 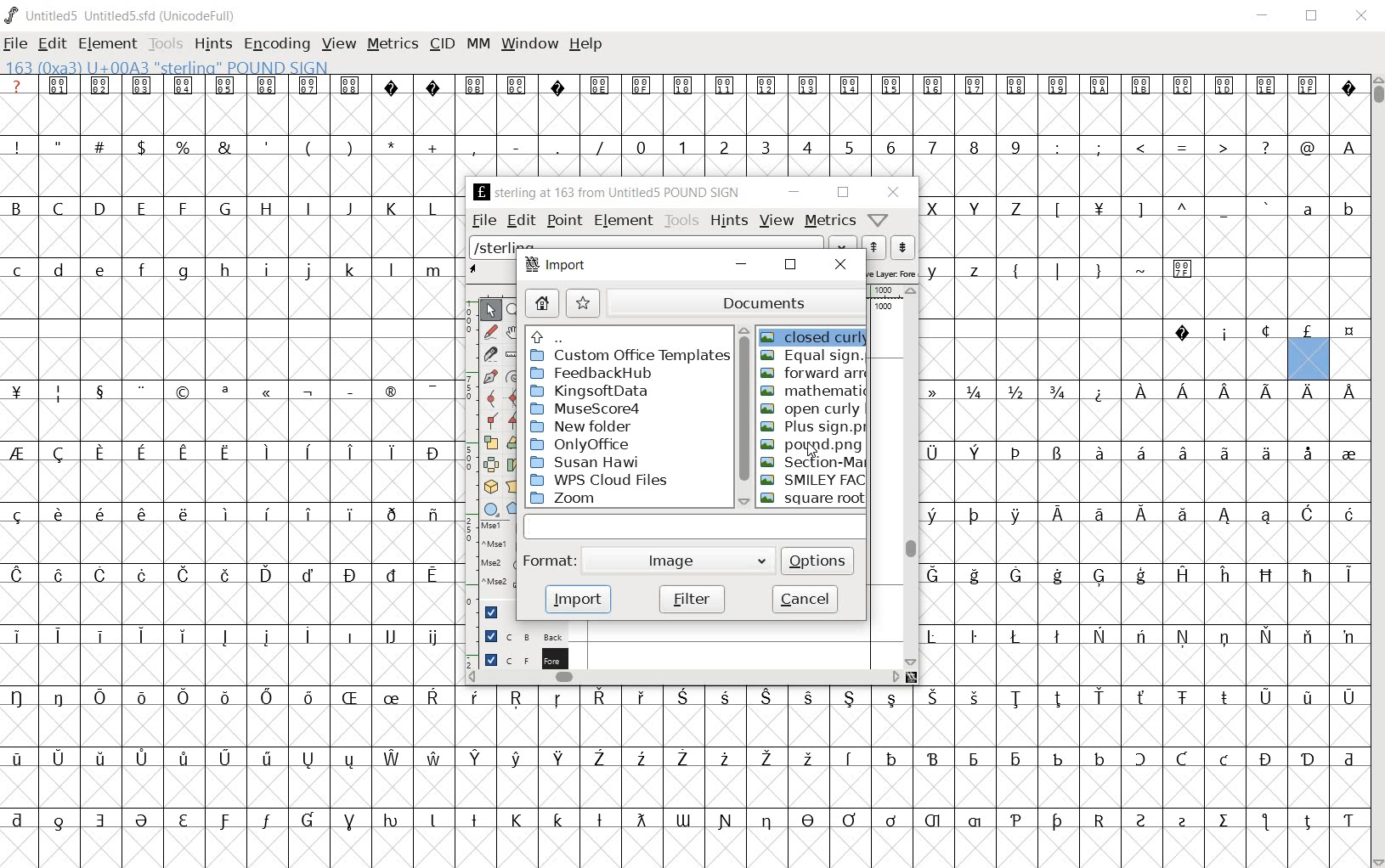 What do you see at coordinates (1266, 758) in the screenshot?
I see `Symbol` at bounding box center [1266, 758].